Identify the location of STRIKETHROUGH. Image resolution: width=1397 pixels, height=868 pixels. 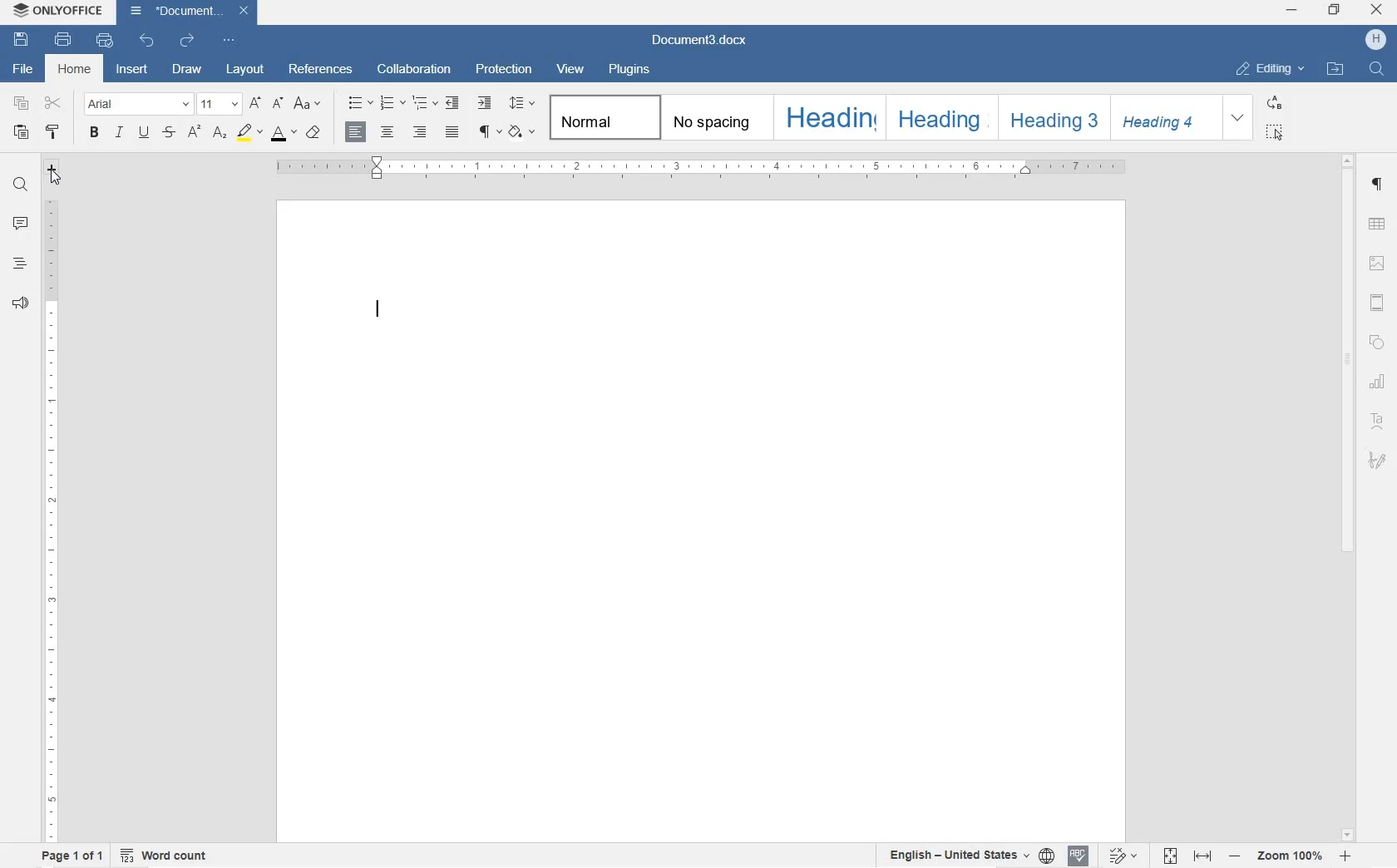
(168, 133).